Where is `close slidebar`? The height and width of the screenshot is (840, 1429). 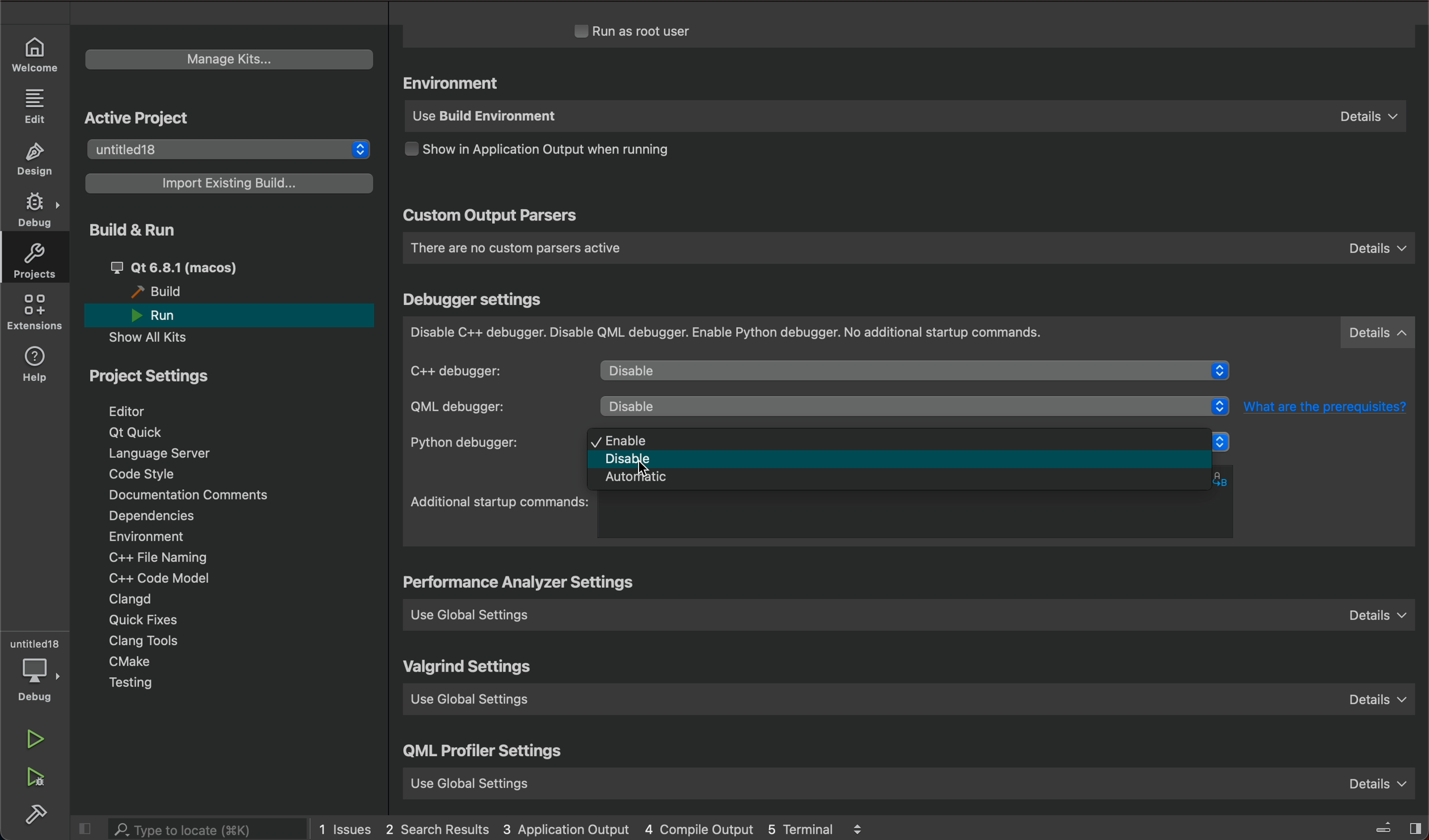 close slidebar is located at coordinates (1384, 826).